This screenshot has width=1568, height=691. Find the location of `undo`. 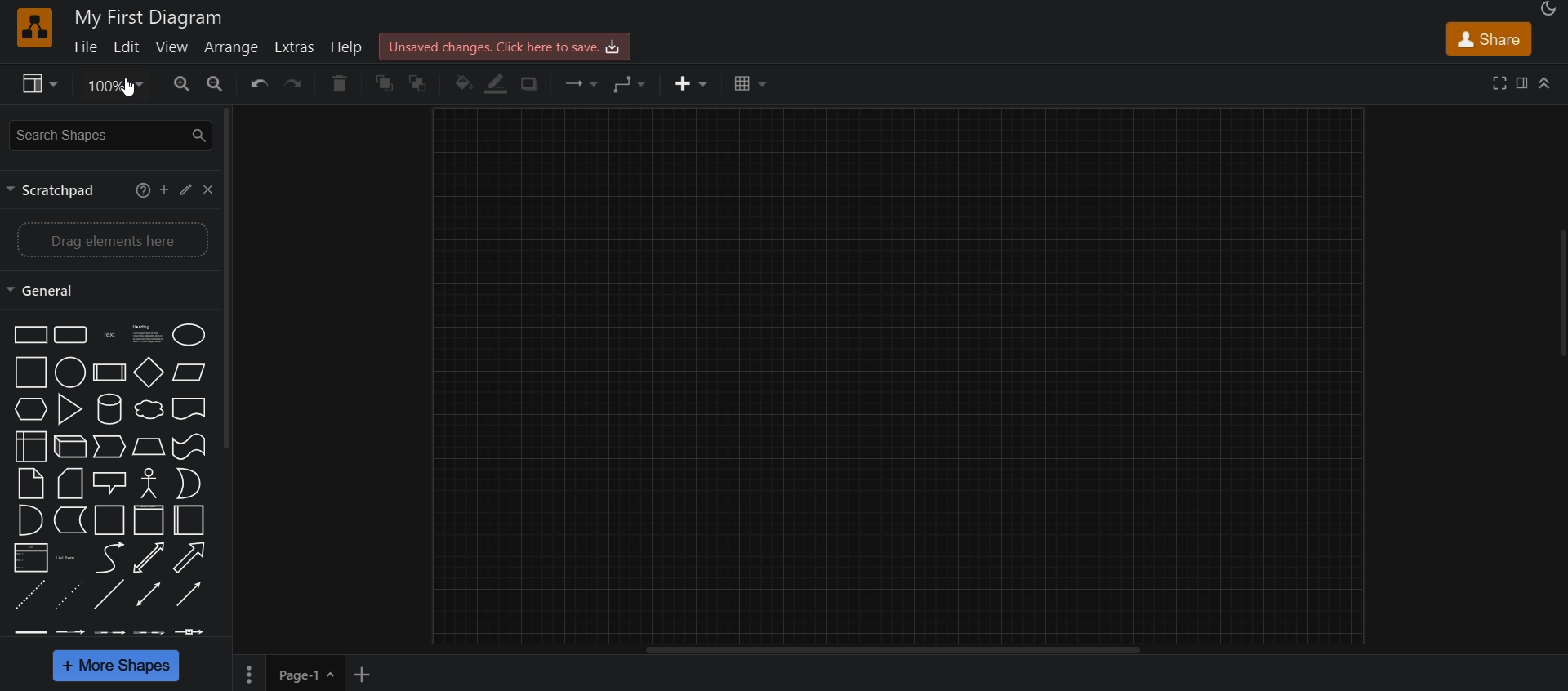

undo is located at coordinates (258, 84).